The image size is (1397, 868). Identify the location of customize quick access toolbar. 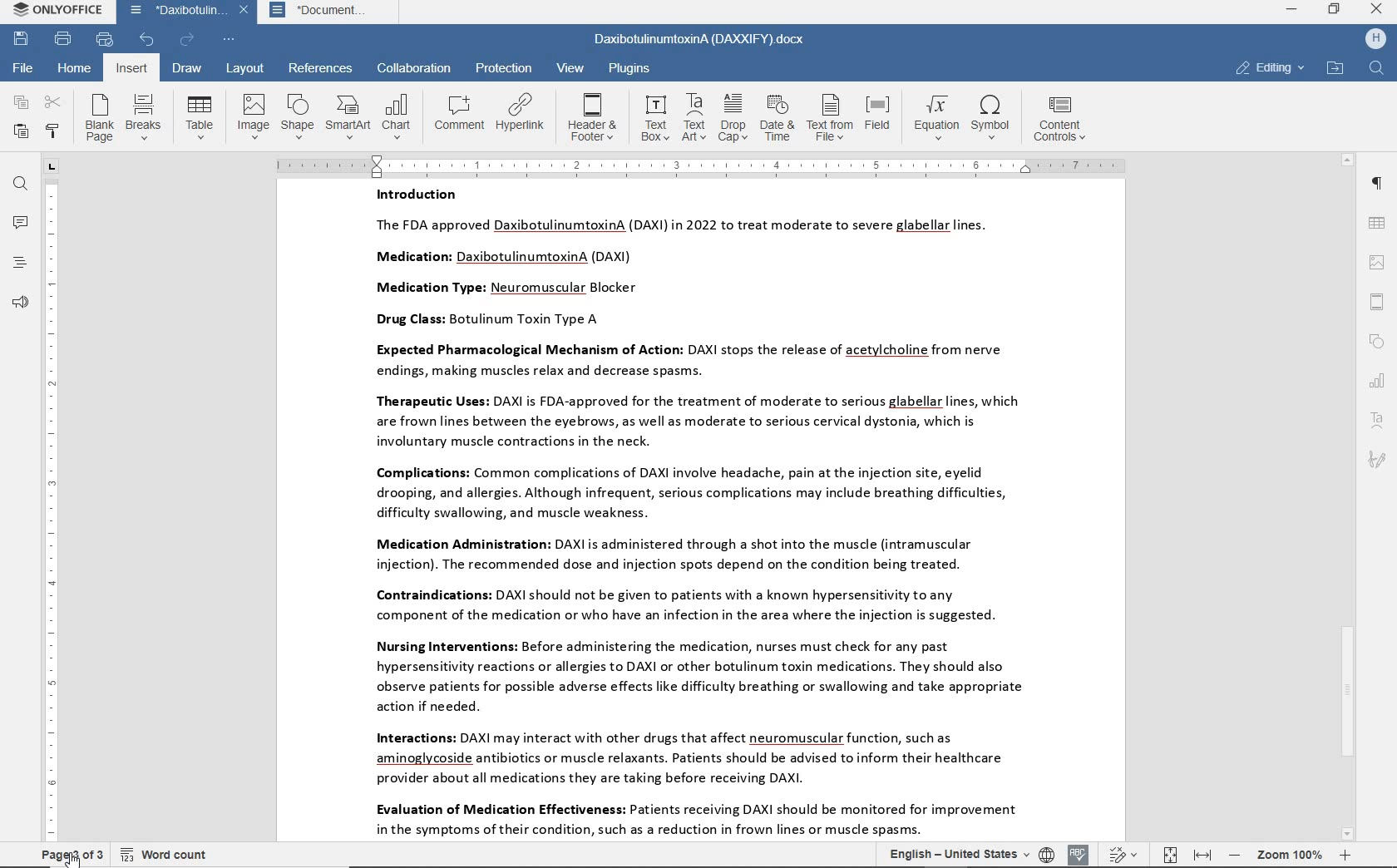
(230, 40).